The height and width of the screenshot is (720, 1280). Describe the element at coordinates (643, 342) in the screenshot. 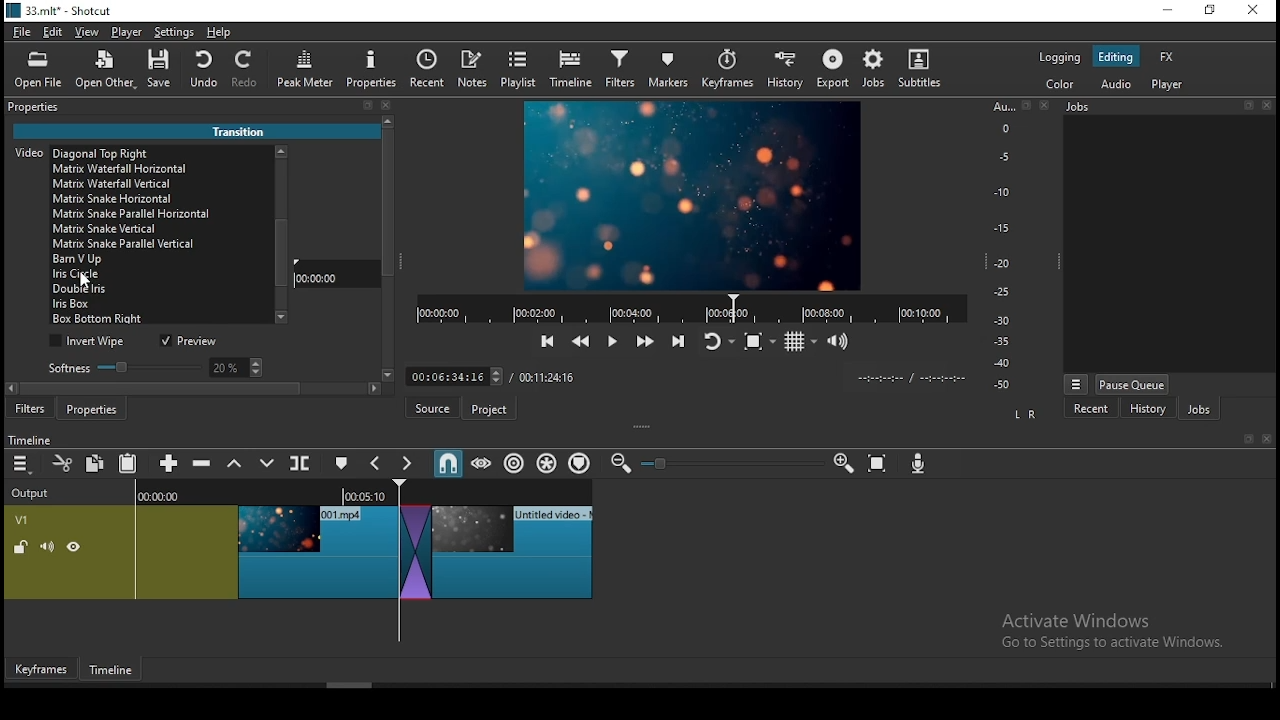

I see `play quickly forward` at that location.